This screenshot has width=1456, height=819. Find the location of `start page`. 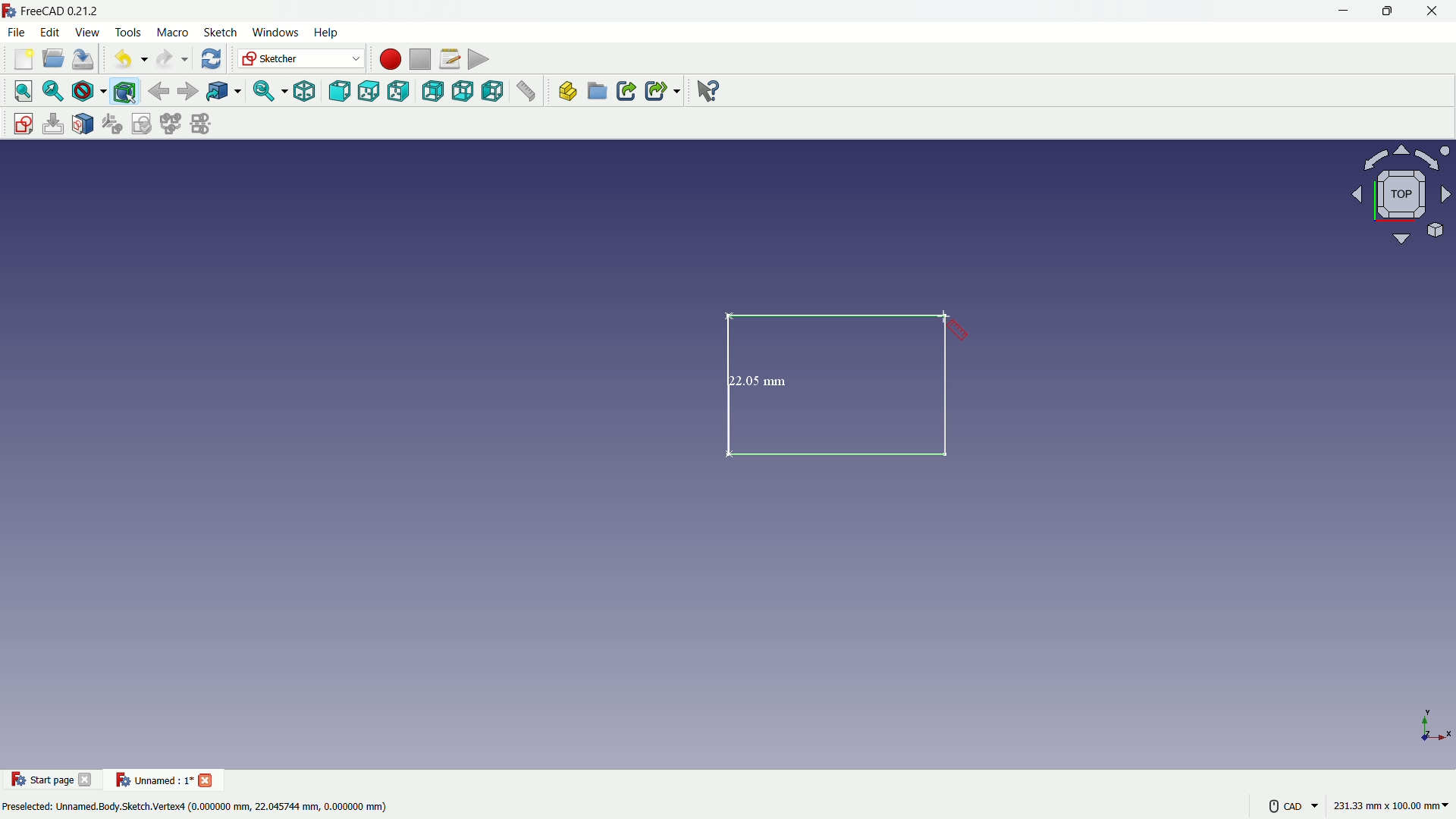

start page is located at coordinates (42, 780).